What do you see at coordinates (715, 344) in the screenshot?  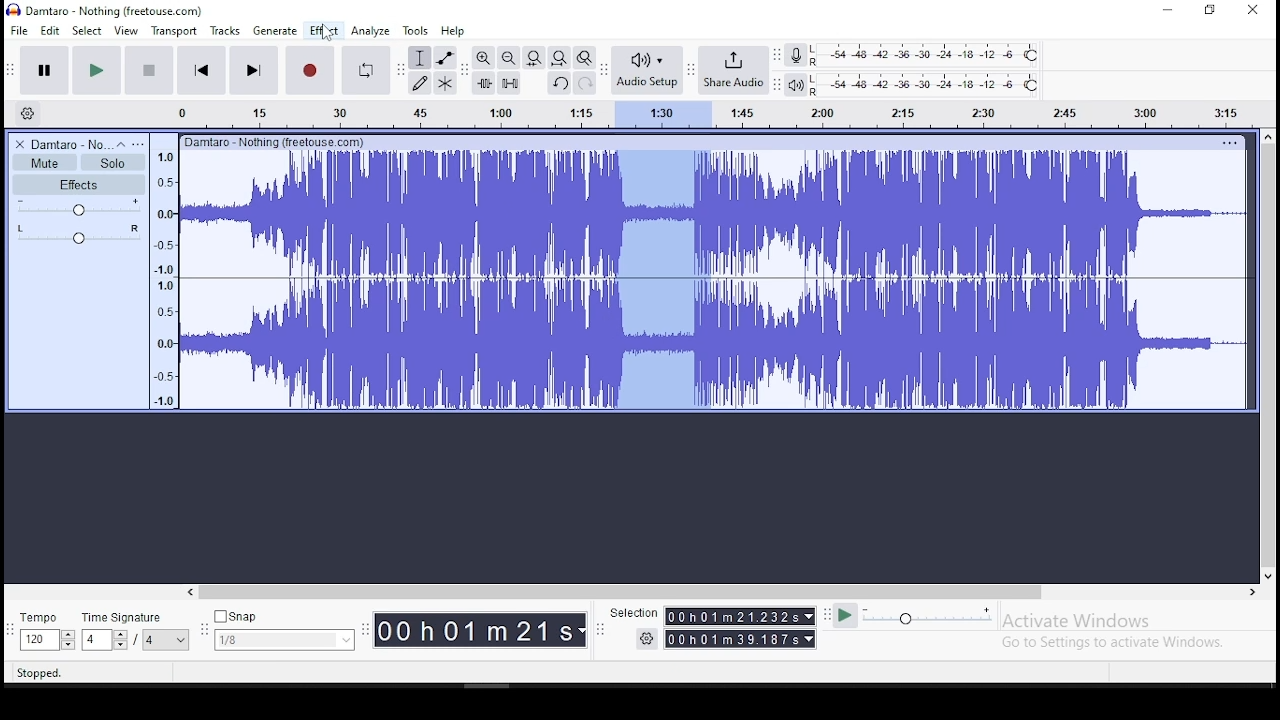 I see `audio track` at bounding box center [715, 344].